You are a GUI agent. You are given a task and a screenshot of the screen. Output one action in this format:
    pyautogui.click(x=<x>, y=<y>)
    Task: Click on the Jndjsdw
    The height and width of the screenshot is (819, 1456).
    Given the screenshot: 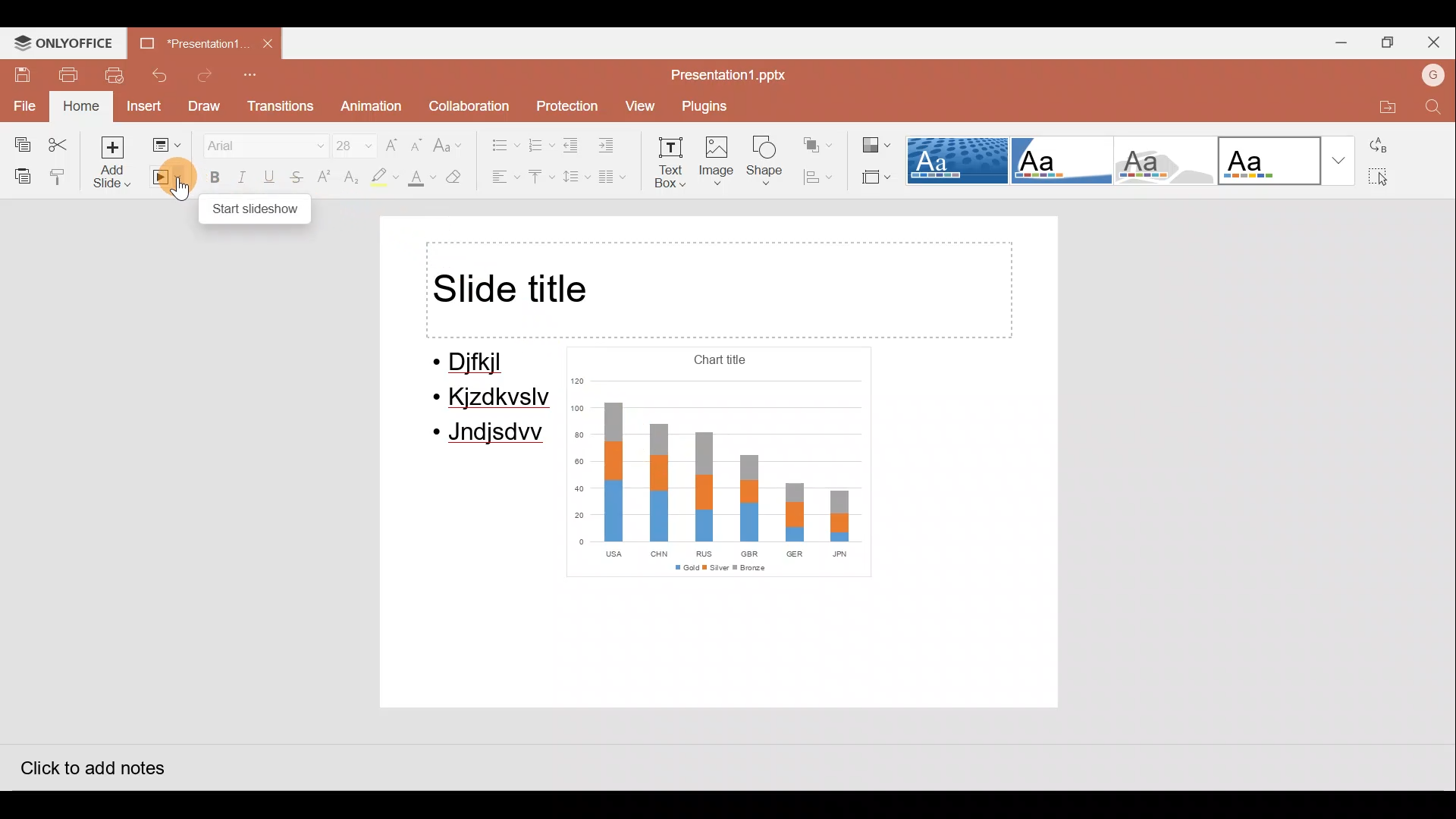 What is the action you would take?
    pyautogui.click(x=490, y=435)
    